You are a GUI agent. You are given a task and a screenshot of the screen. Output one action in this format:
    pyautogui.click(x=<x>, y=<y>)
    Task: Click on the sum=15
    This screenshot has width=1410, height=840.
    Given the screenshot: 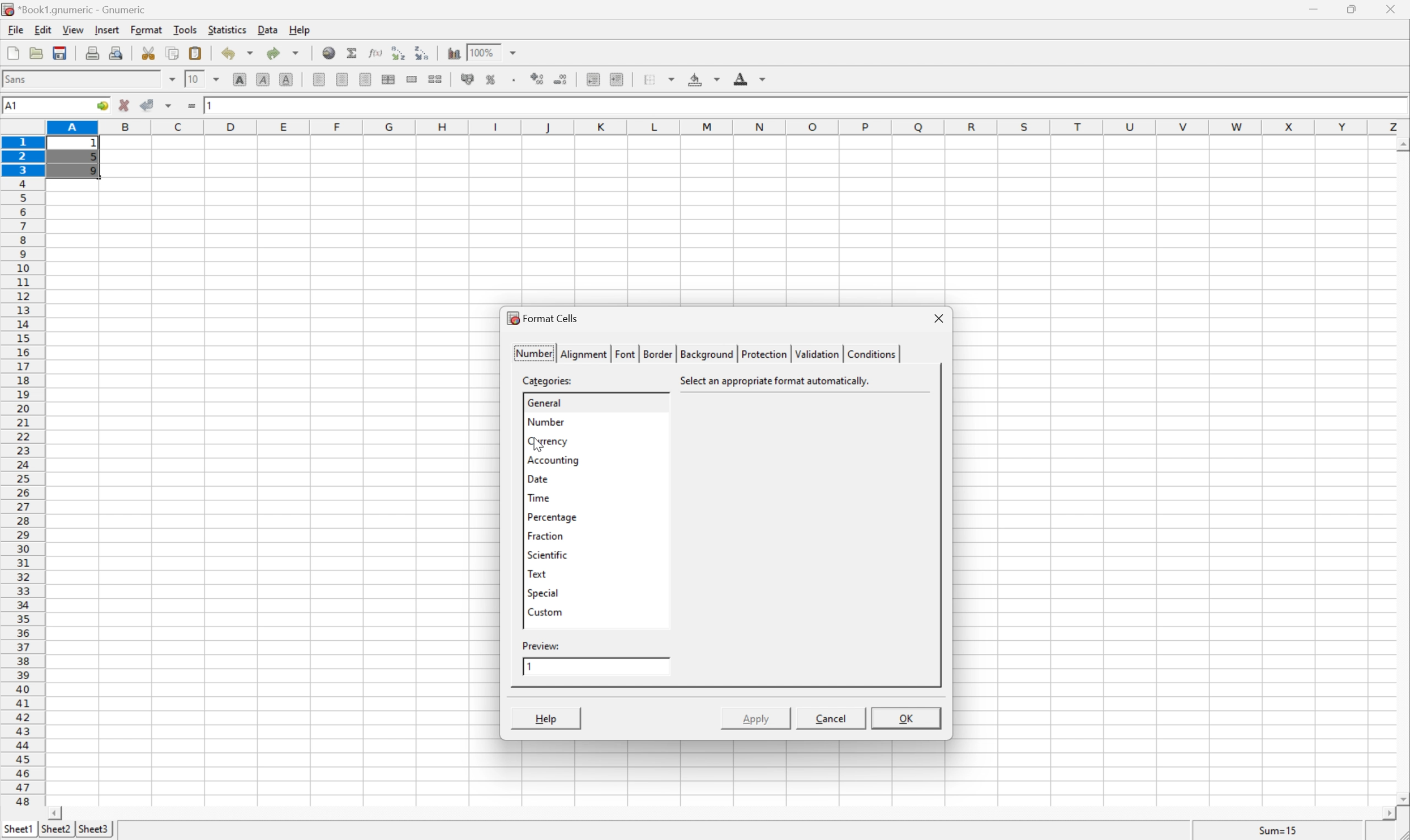 What is the action you would take?
    pyautogui.click(x=1278, y=830)
    